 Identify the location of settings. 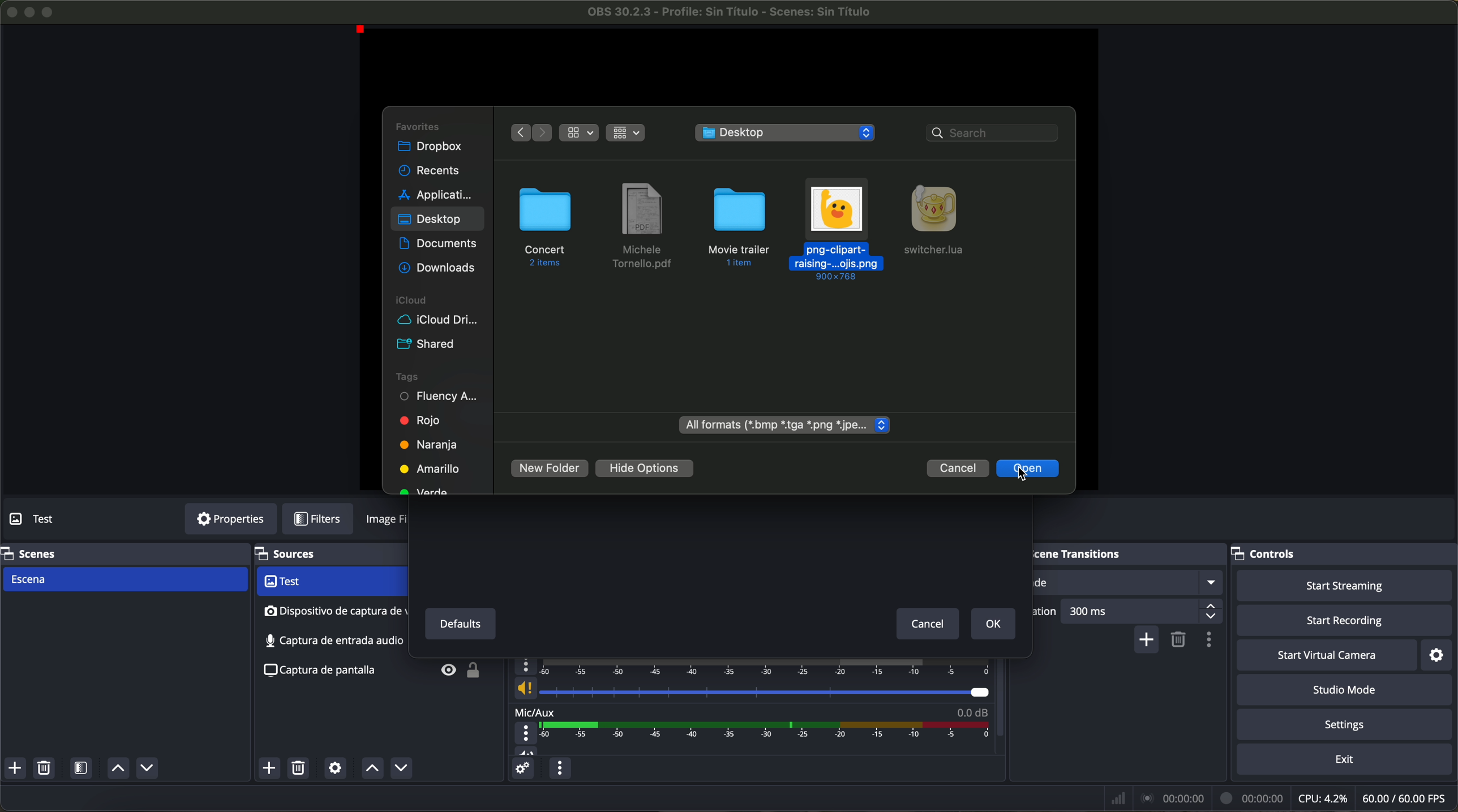
(1348, 725).